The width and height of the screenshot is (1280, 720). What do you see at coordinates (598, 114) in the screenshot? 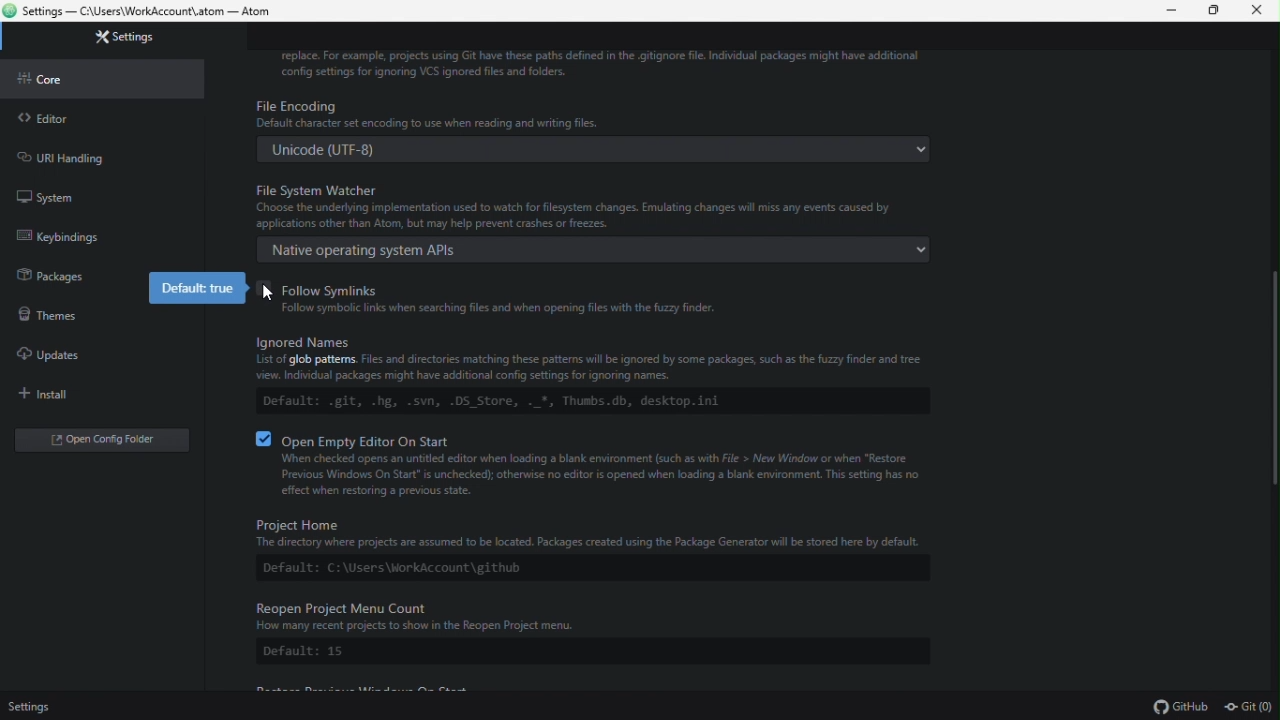
I see `File encoding` at bounding box center [598, 114].